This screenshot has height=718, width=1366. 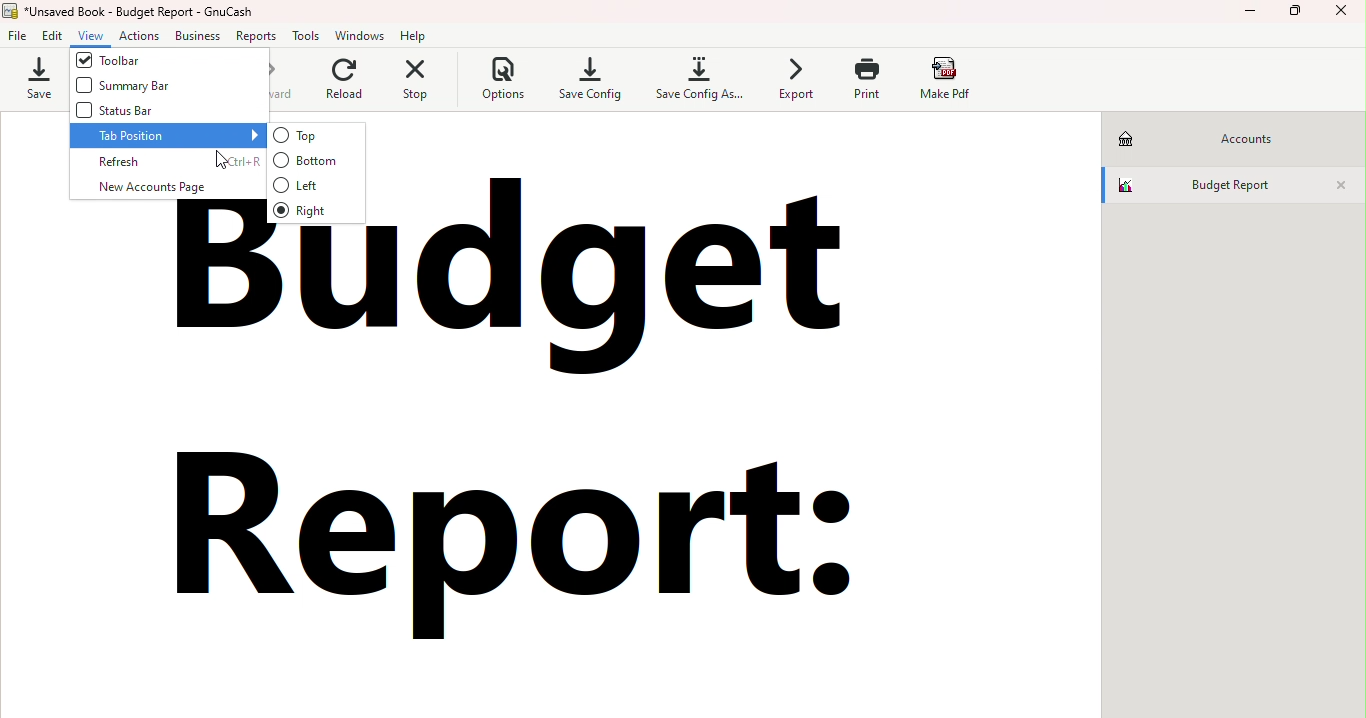 What do you see at coordinates (318, 135) in the screenshot?
I see `Top` at bounding box center [318, 135].